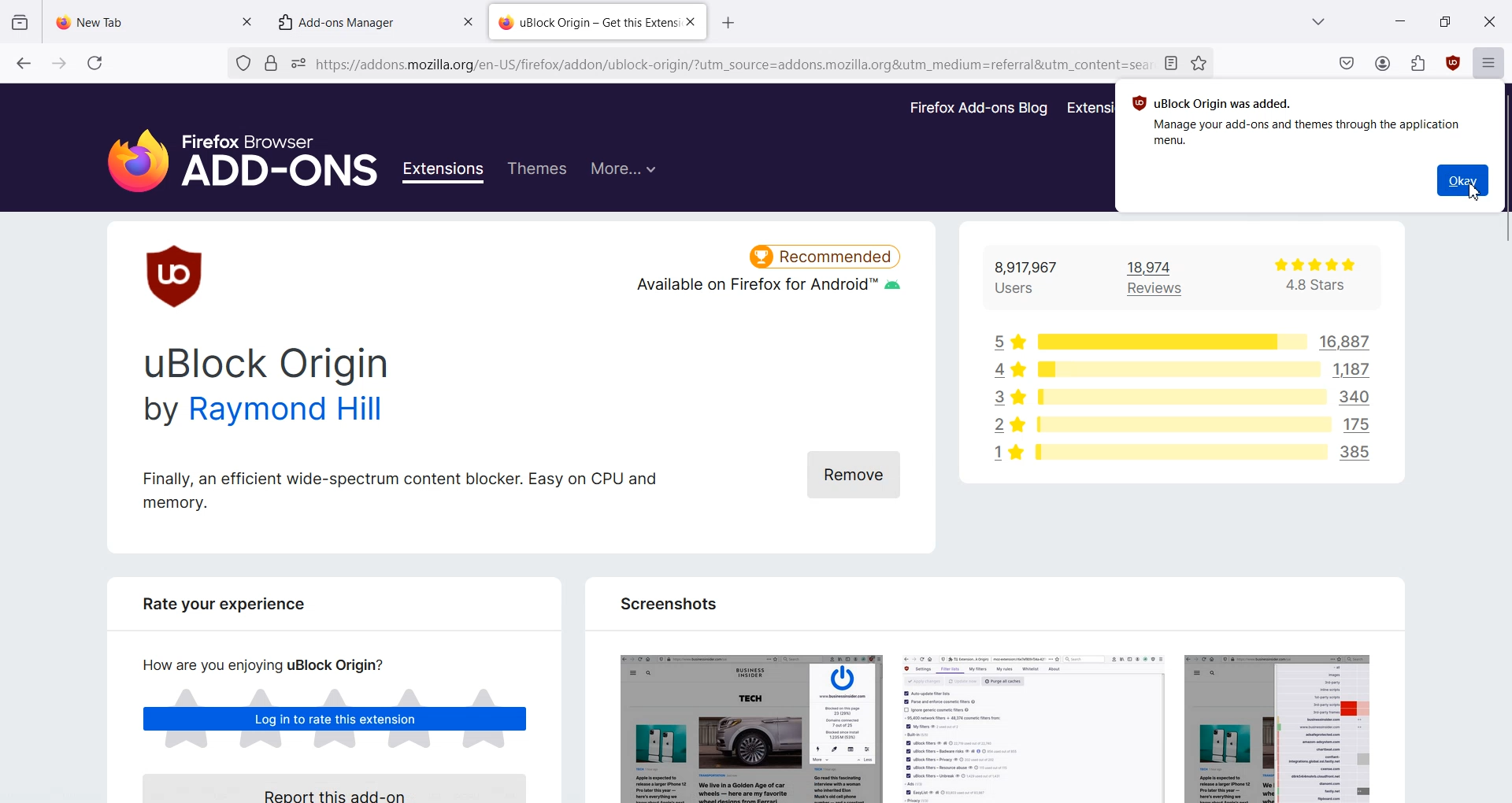 The image size is (1512, 803). Describe the element at coordinates (335, 720) in the screenshot. I see `Log in to rate this extensions` at that location.